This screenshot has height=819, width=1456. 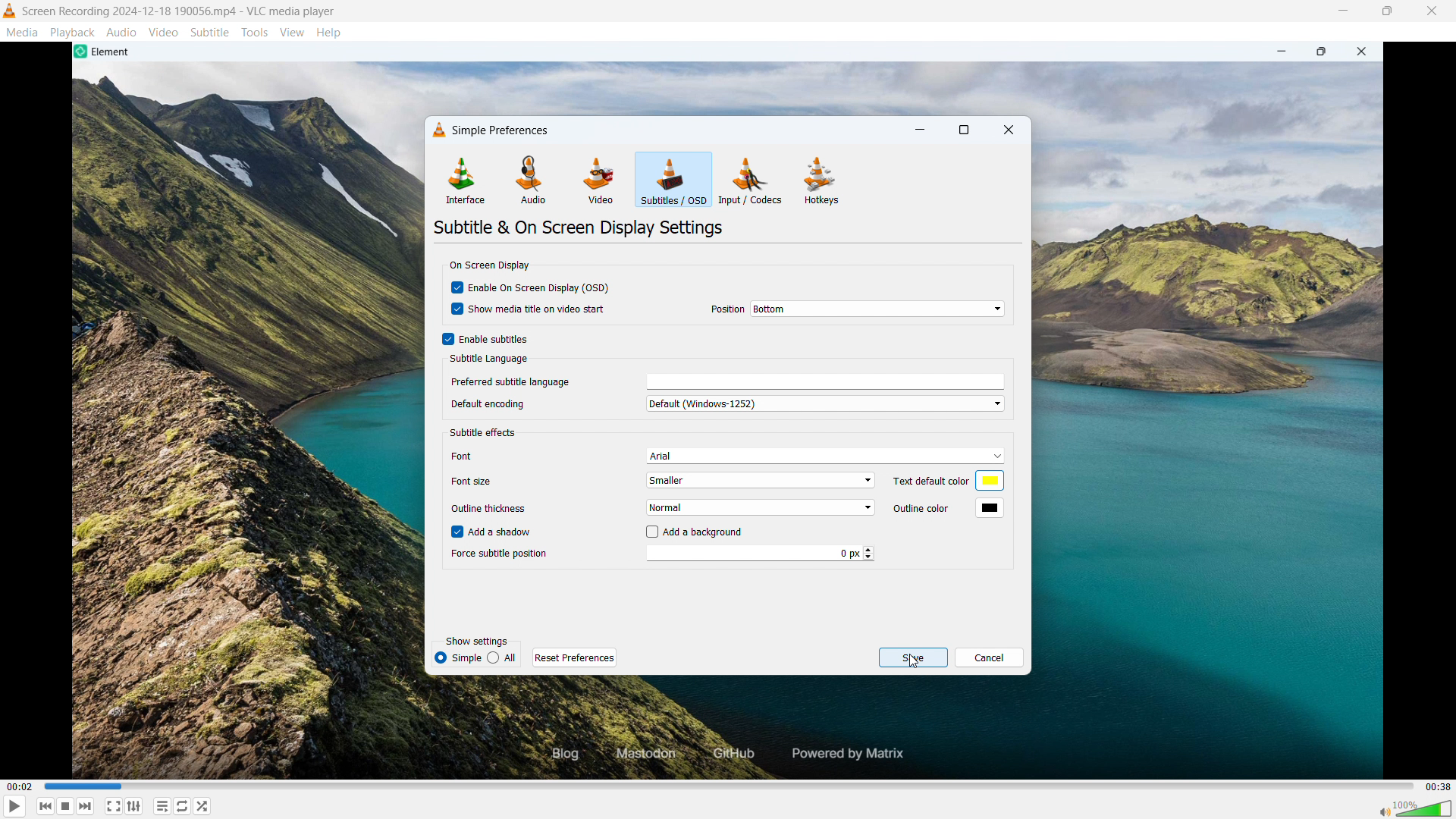 What do you see at coordinates (1341, 11) in the screenshot?
I see `minimise ` at bounding box center [1341, 11].